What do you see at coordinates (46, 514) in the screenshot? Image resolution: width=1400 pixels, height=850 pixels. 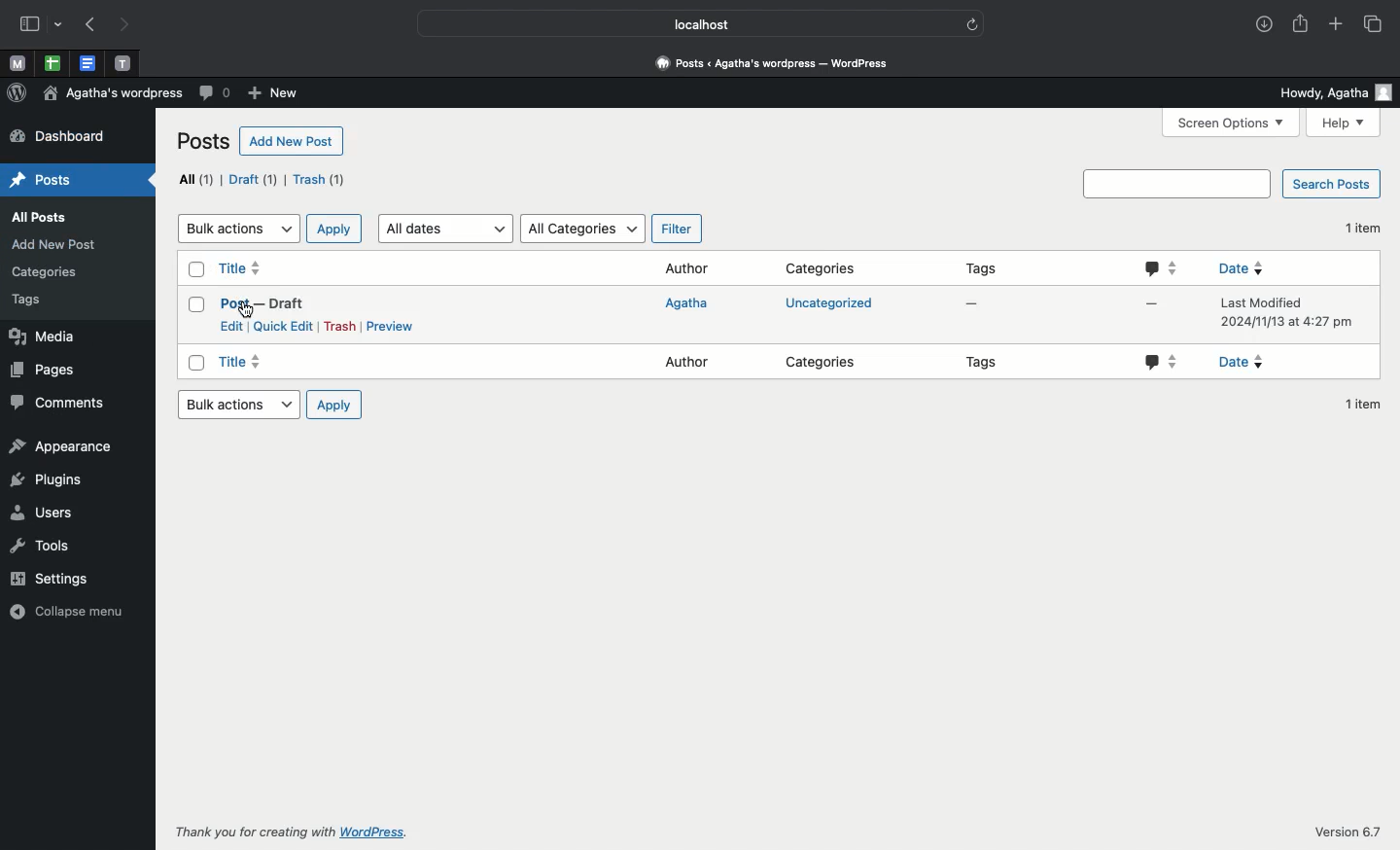 I see `Users` at bounding box center [46, 514].